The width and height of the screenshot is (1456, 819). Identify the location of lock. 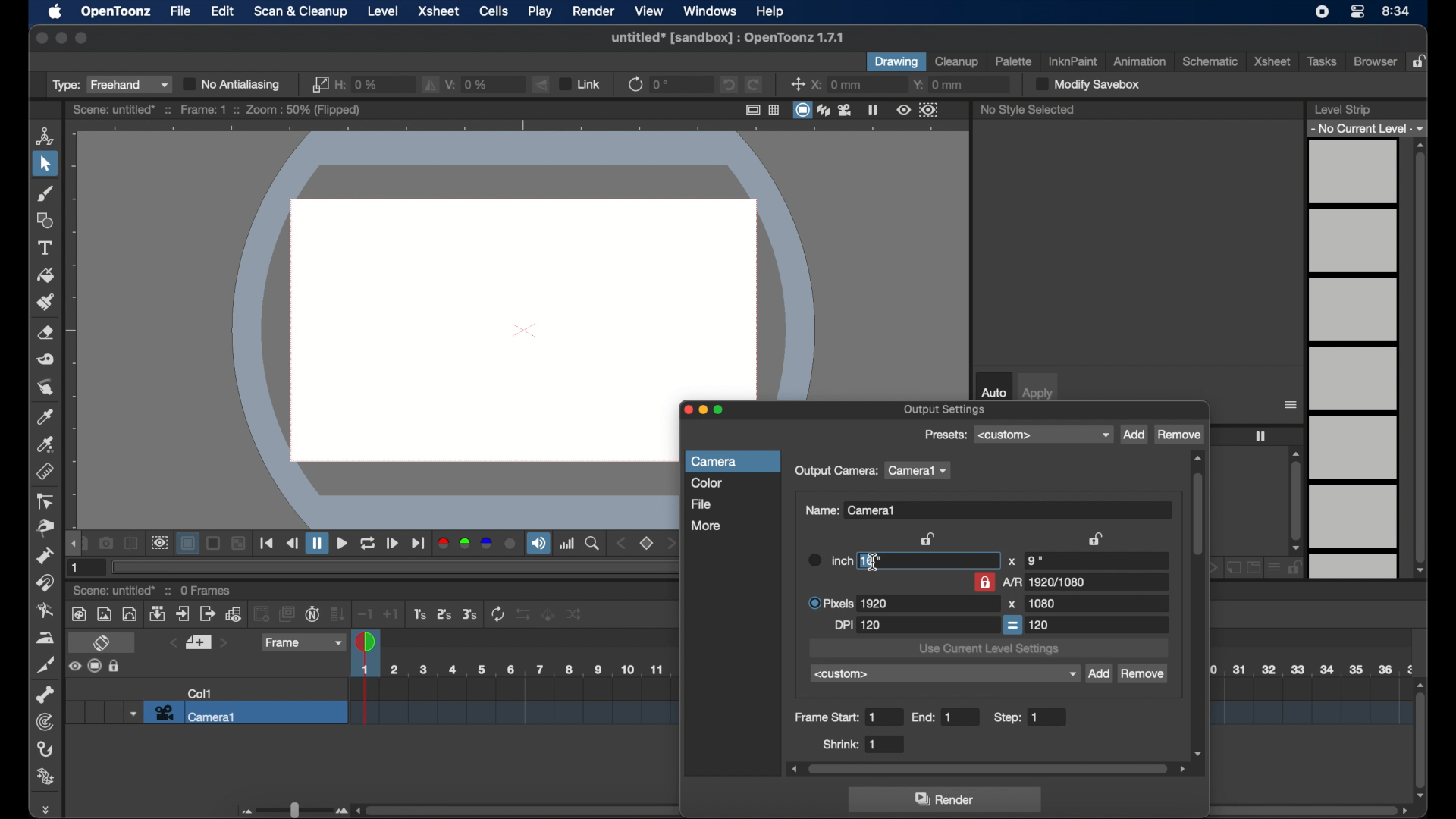
(984, 582).